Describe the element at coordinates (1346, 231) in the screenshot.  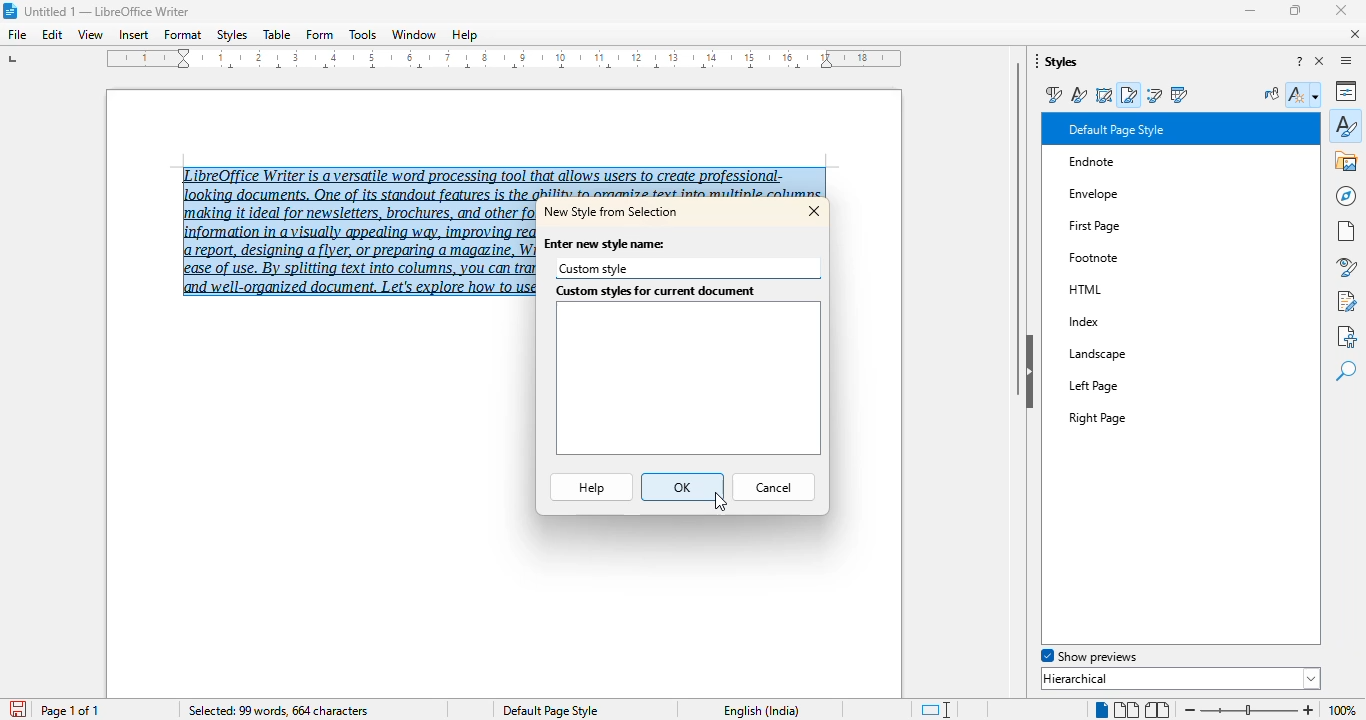
I see `page` at that location.